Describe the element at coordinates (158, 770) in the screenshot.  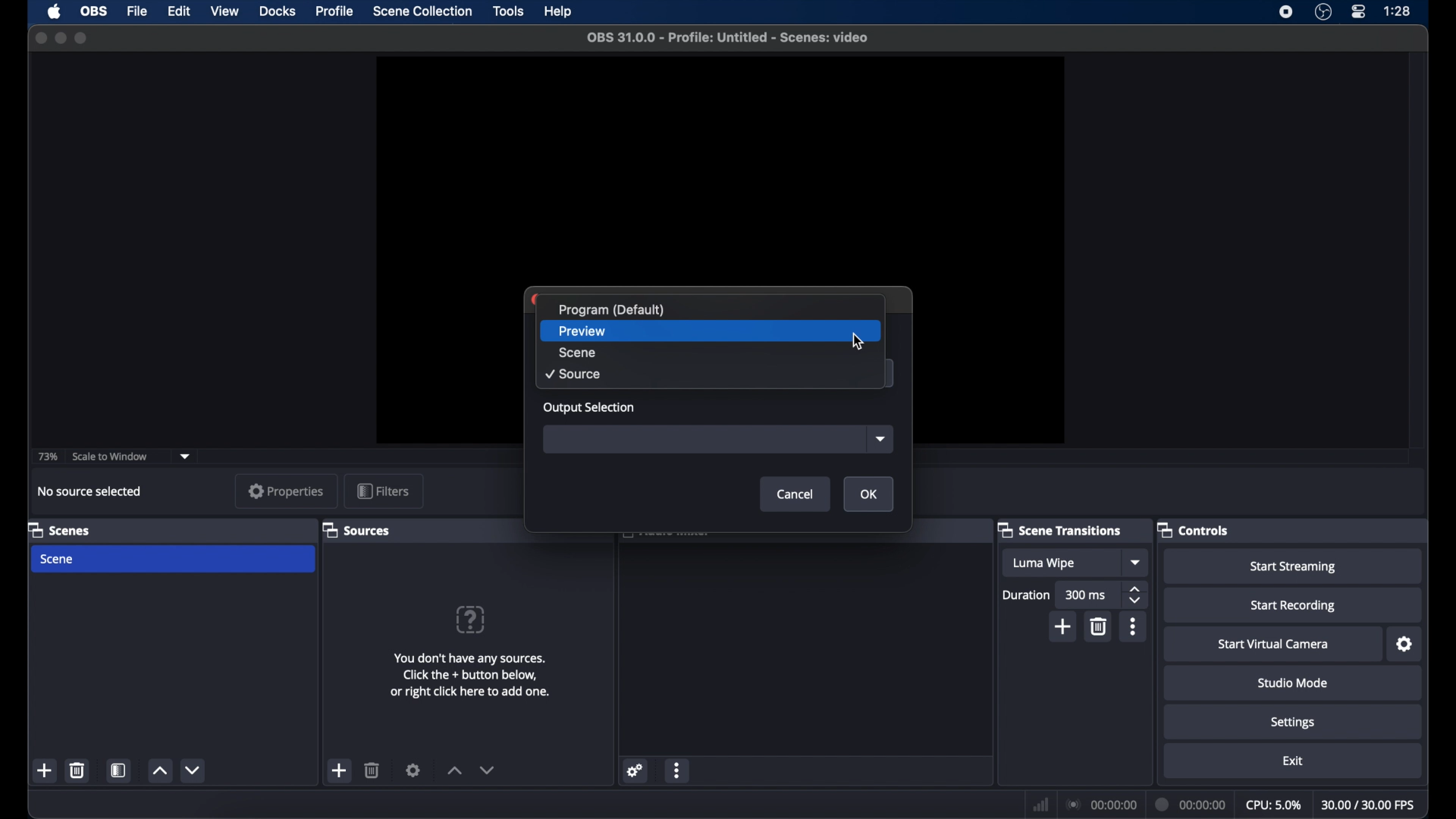
I see `increment` at that location.